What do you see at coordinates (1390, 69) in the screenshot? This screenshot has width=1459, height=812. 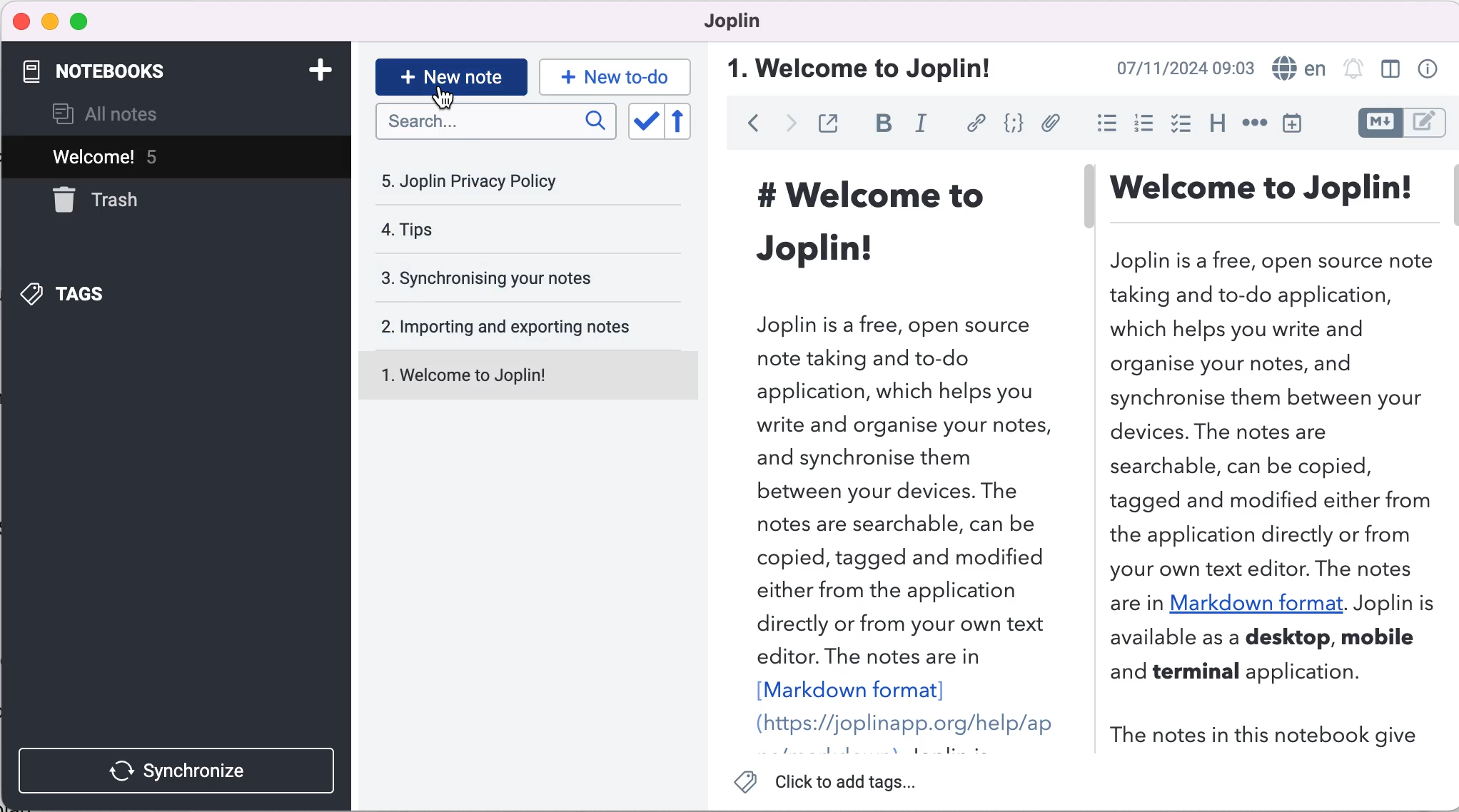 I see `toggle editor layout` at bounding box center [1390, 69].